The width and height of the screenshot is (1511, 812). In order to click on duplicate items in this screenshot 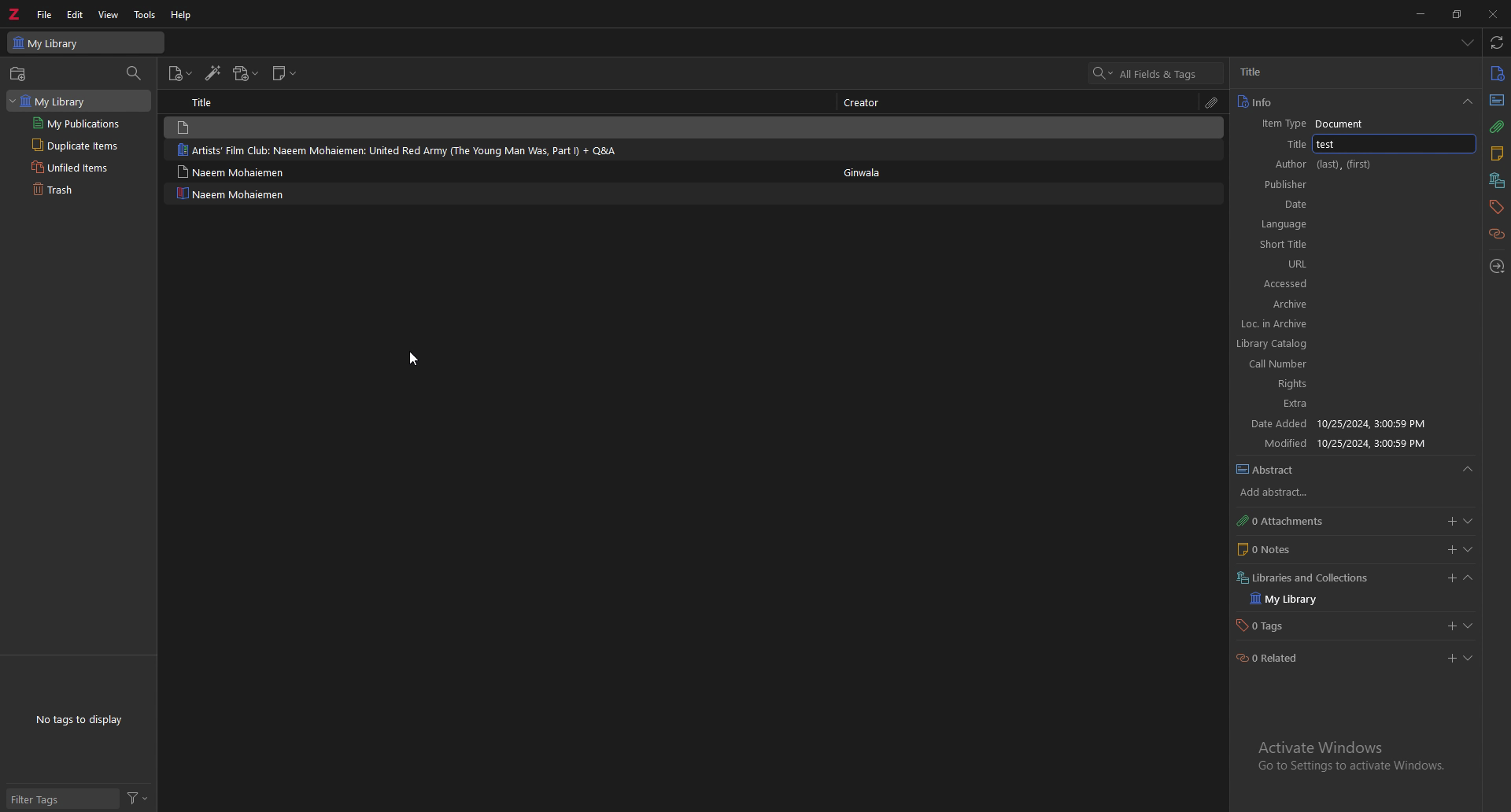, I will do `click(73, 146)`.